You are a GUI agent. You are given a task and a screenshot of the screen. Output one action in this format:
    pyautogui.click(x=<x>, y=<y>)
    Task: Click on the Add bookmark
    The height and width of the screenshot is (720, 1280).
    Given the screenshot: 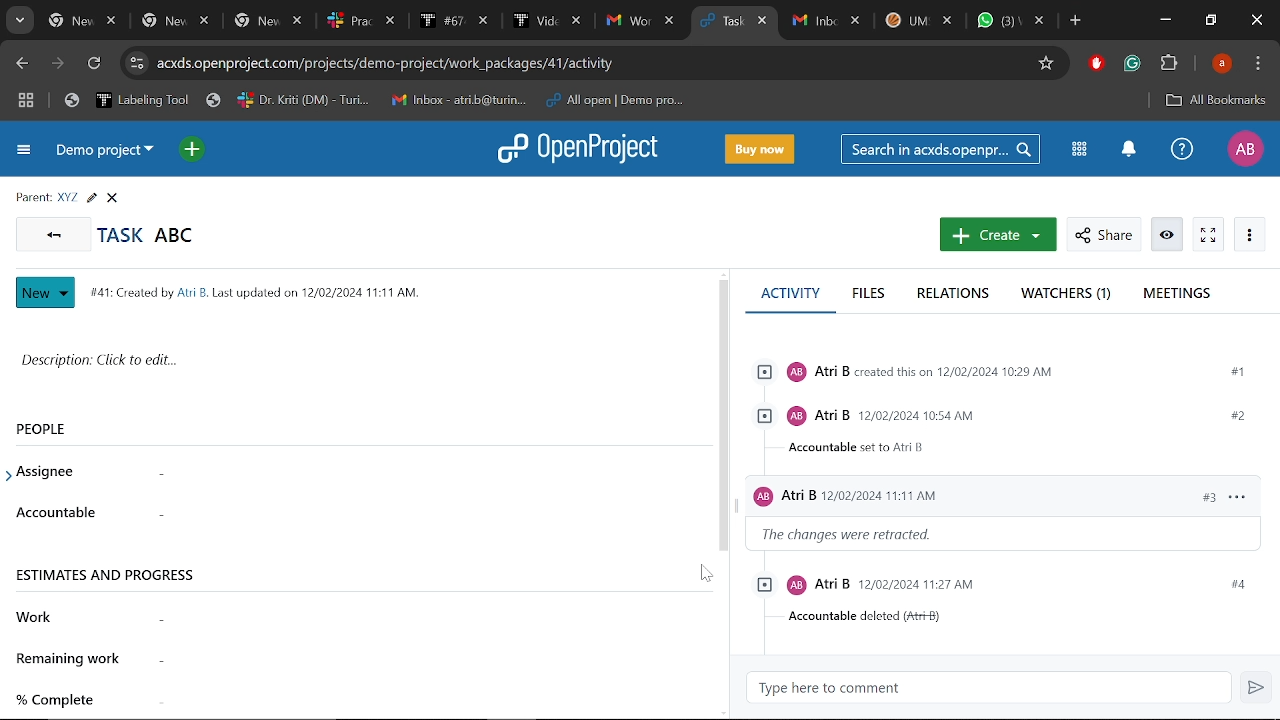 What is the action you would take?
    pyautogui.click(x=1049, y=64)
    